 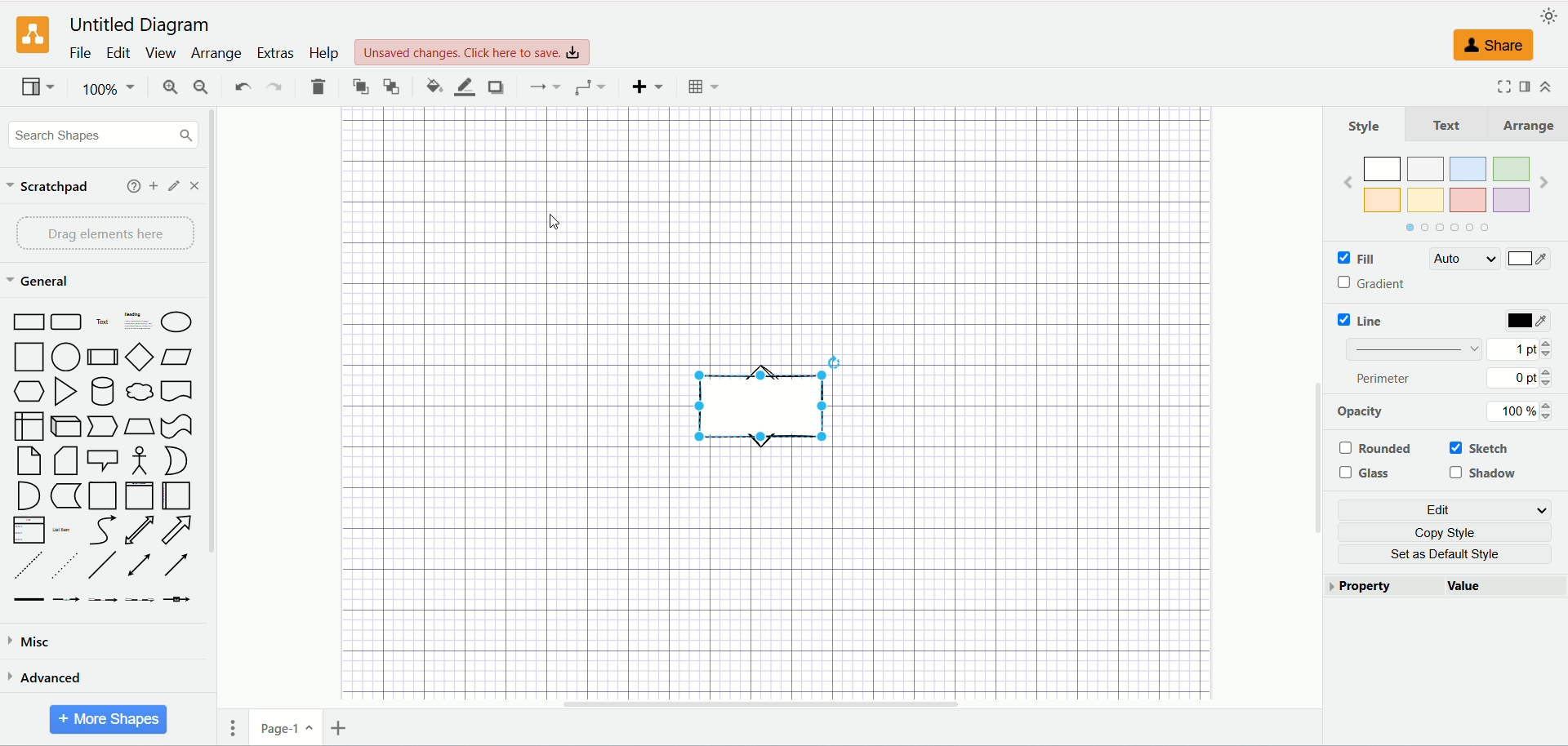 What do you see at coordinates (1545, 86) in the screenshot?
I see `collapse/expand` at bounding box center [1545, 86].